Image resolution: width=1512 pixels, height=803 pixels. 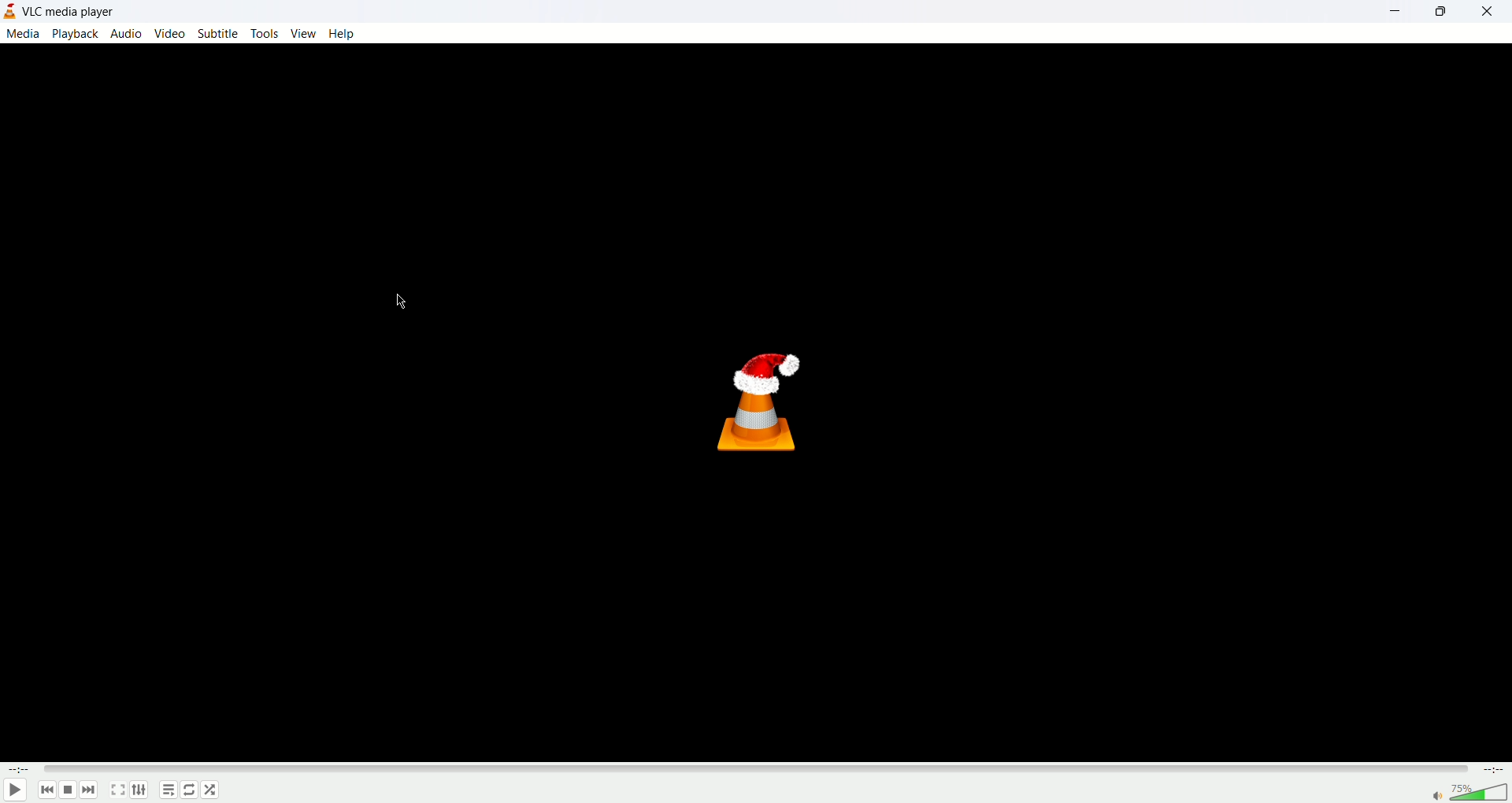 I want to click on playback, so click(x=76, y=33).